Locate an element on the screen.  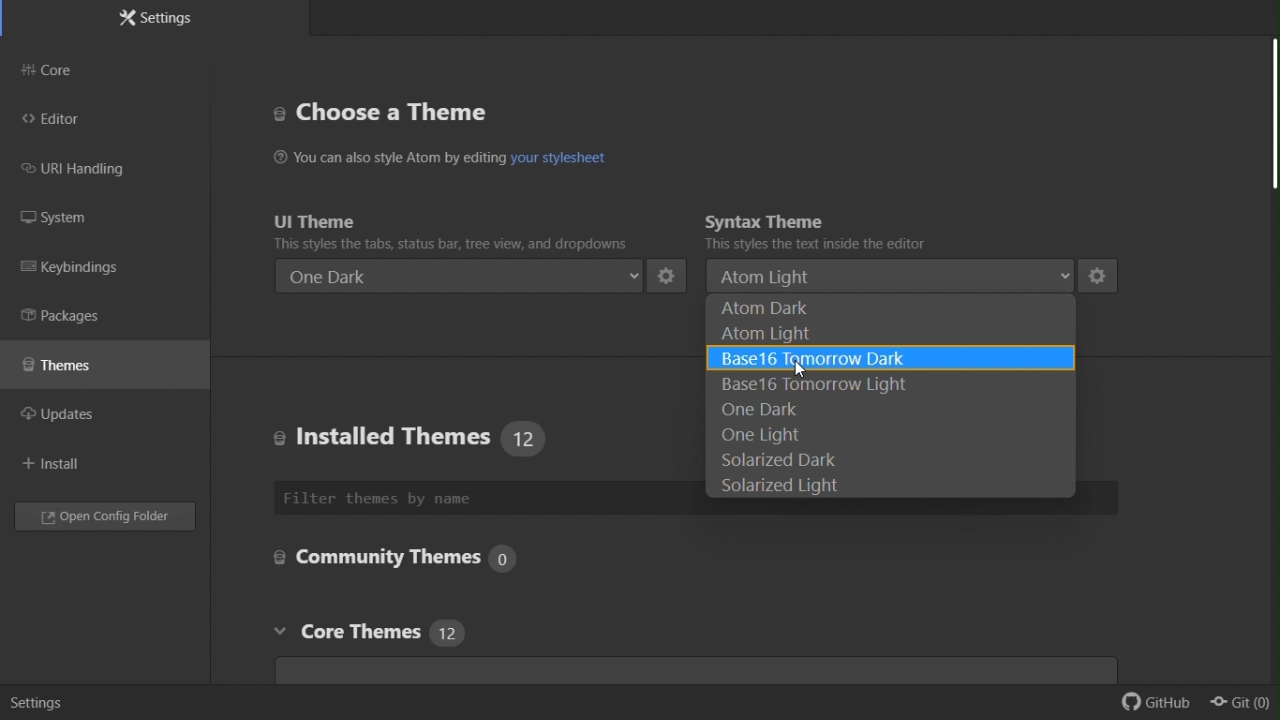
updates is located at coordinates (72, 417).